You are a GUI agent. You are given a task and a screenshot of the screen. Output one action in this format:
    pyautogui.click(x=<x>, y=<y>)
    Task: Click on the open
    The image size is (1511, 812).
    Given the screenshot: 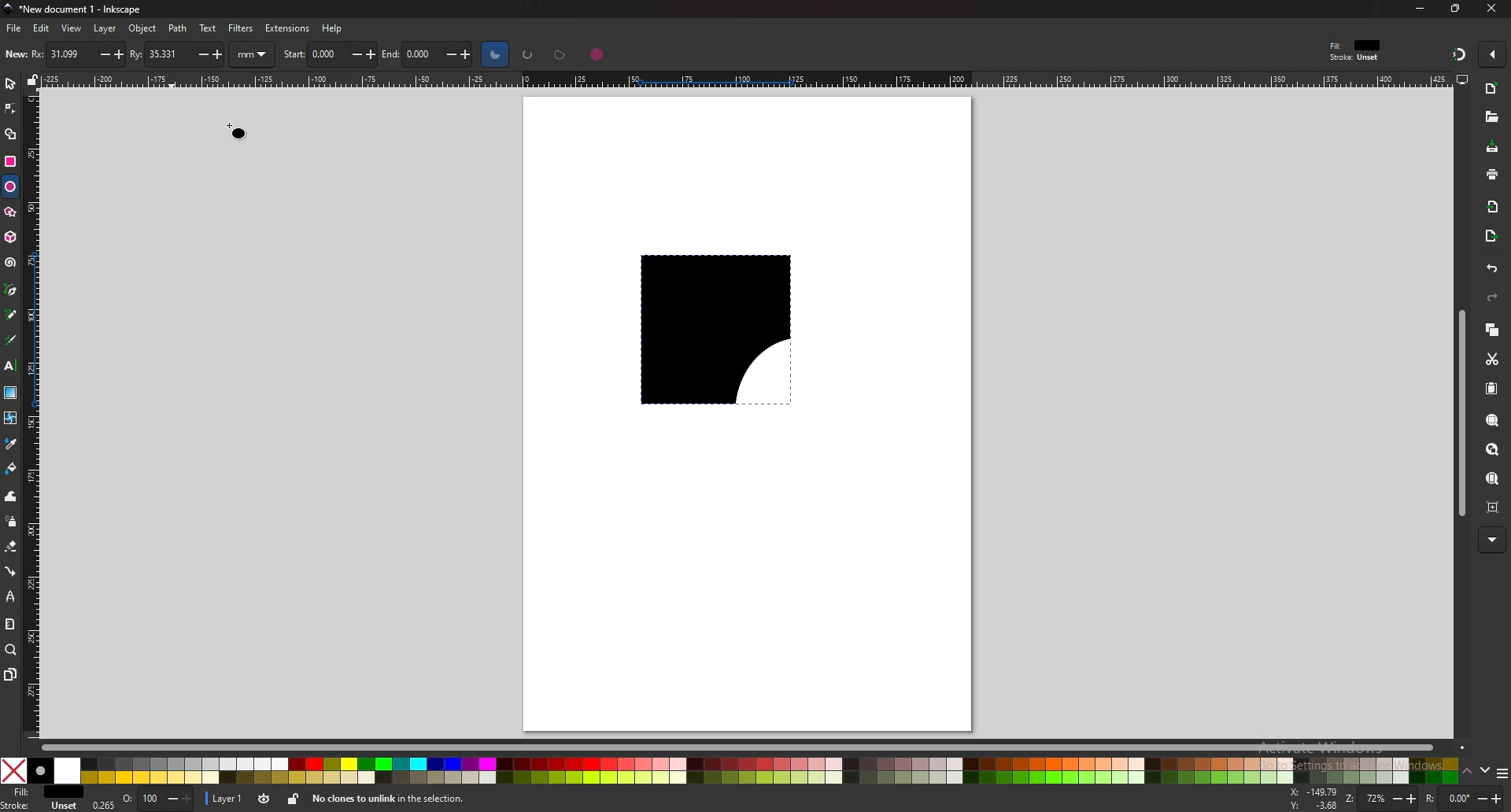 What is the action you would take?
    pyautogui.click(x=1491, y=116)
    